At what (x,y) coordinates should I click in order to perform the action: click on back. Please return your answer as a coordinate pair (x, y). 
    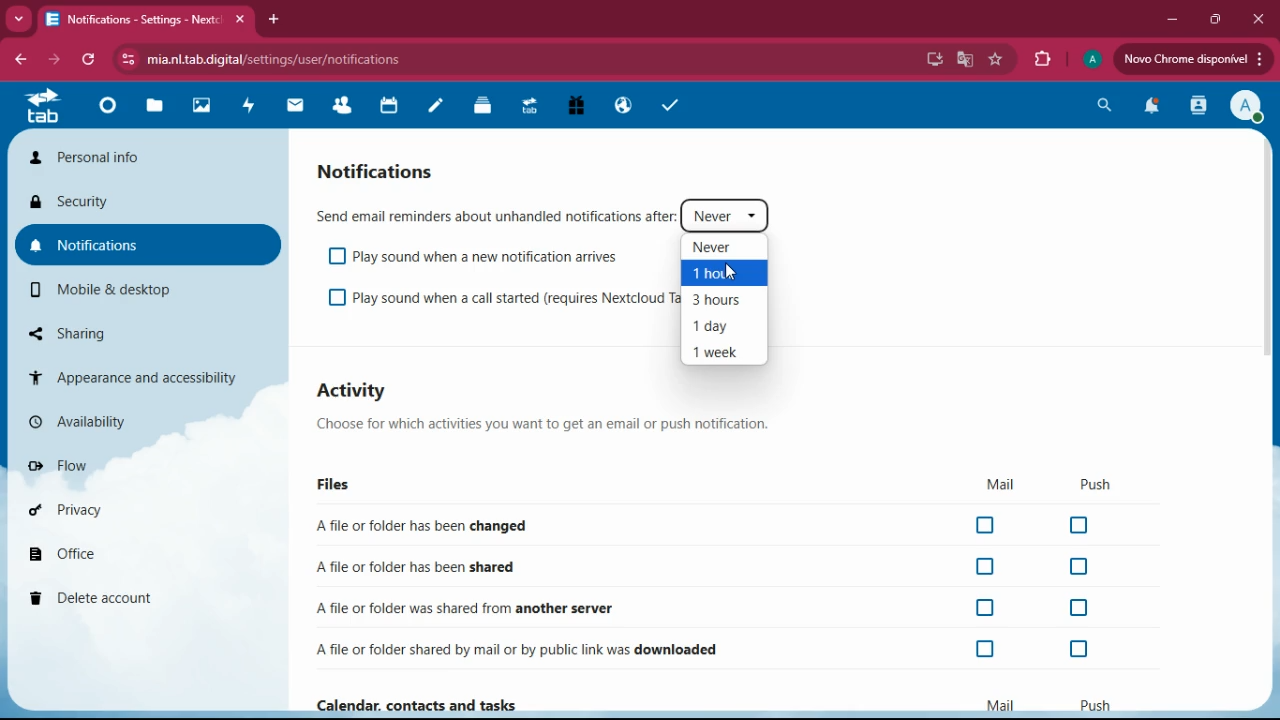
    Looking at the image, I should click on (18, 60).